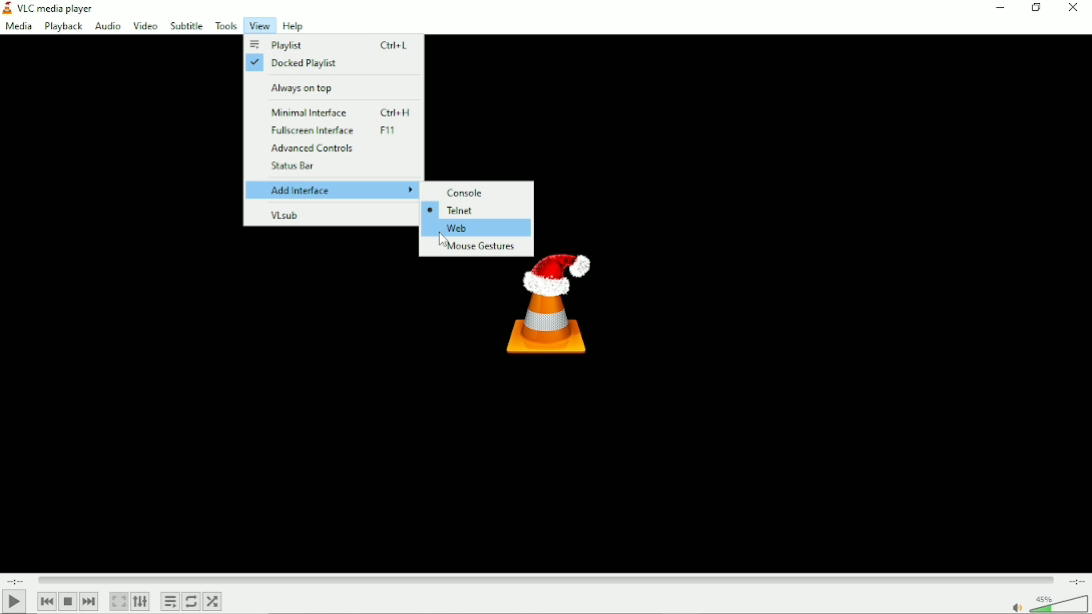 Image resolution: width=1092 pixels, height=614 pixels. Describe the element at coordinates (285, 215) in the screenshot. I see `VLsub` at that location.